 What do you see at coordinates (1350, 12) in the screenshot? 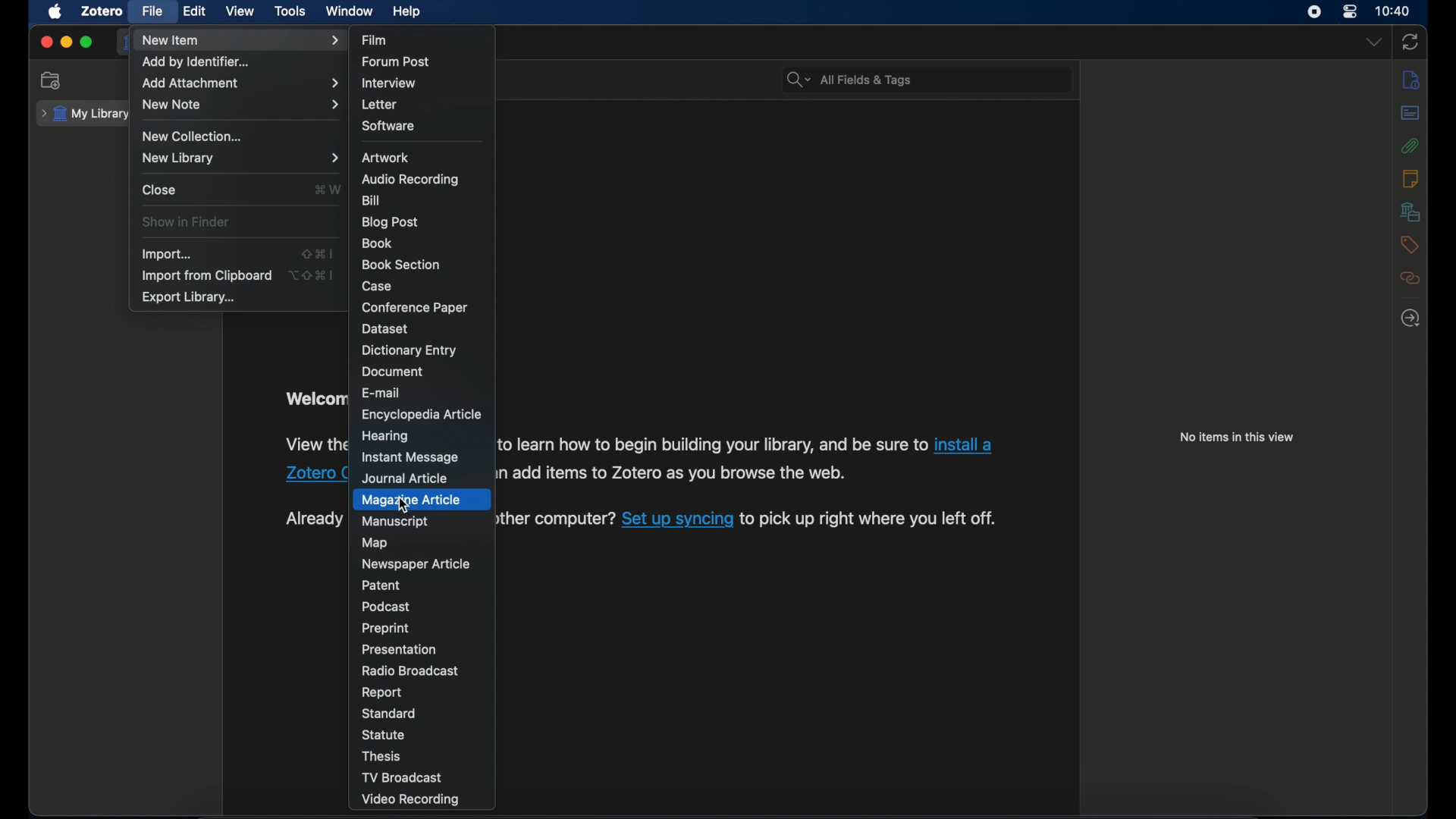
I see `control center` at bounding box center [1350, 12].